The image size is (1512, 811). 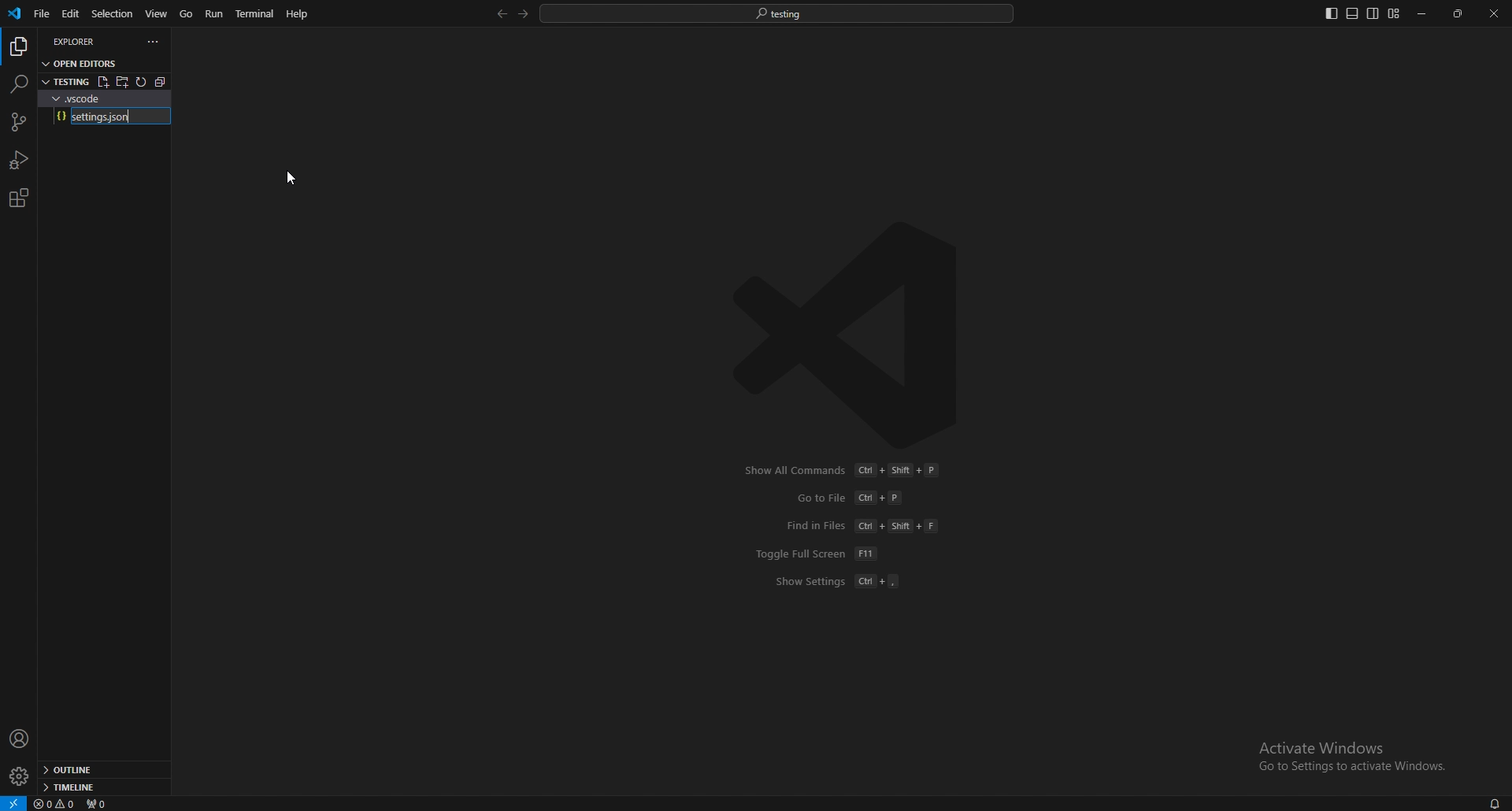 I want to click on run and debug, so click(x=20, y=160).